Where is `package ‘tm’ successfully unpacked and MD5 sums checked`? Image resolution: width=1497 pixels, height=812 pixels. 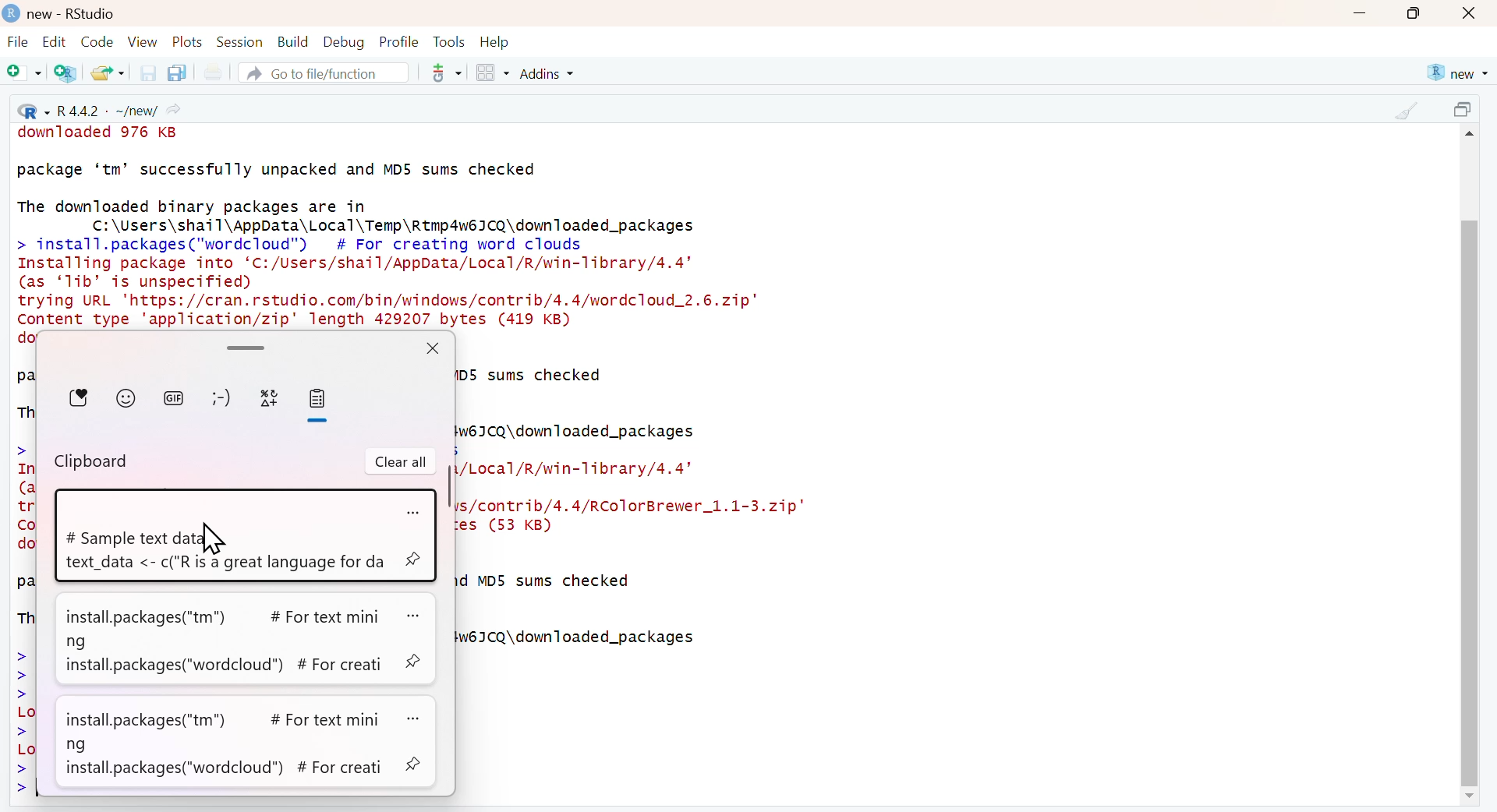 package ‘tm’ successfully unpacked and MD5 sums checked is located at coordinates (278, 169).